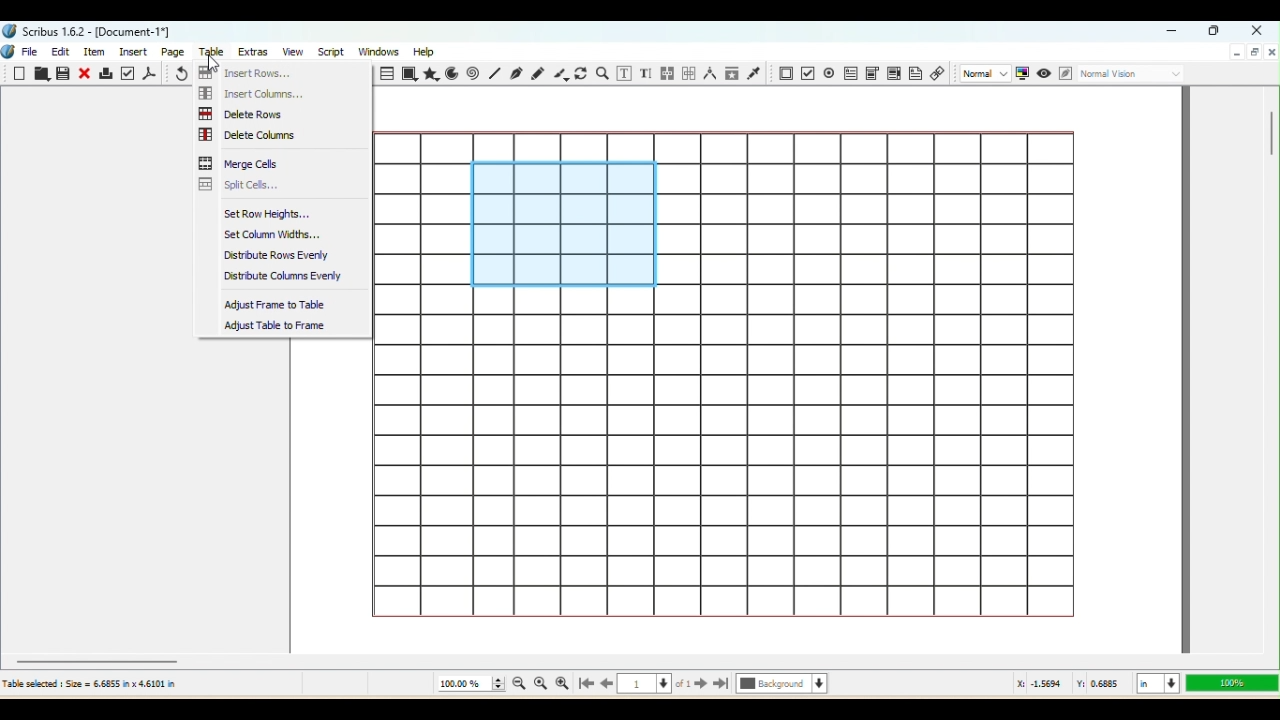  Describe the element at coordinates (60, 52) in the screenshot. I see `Edit` at that location.